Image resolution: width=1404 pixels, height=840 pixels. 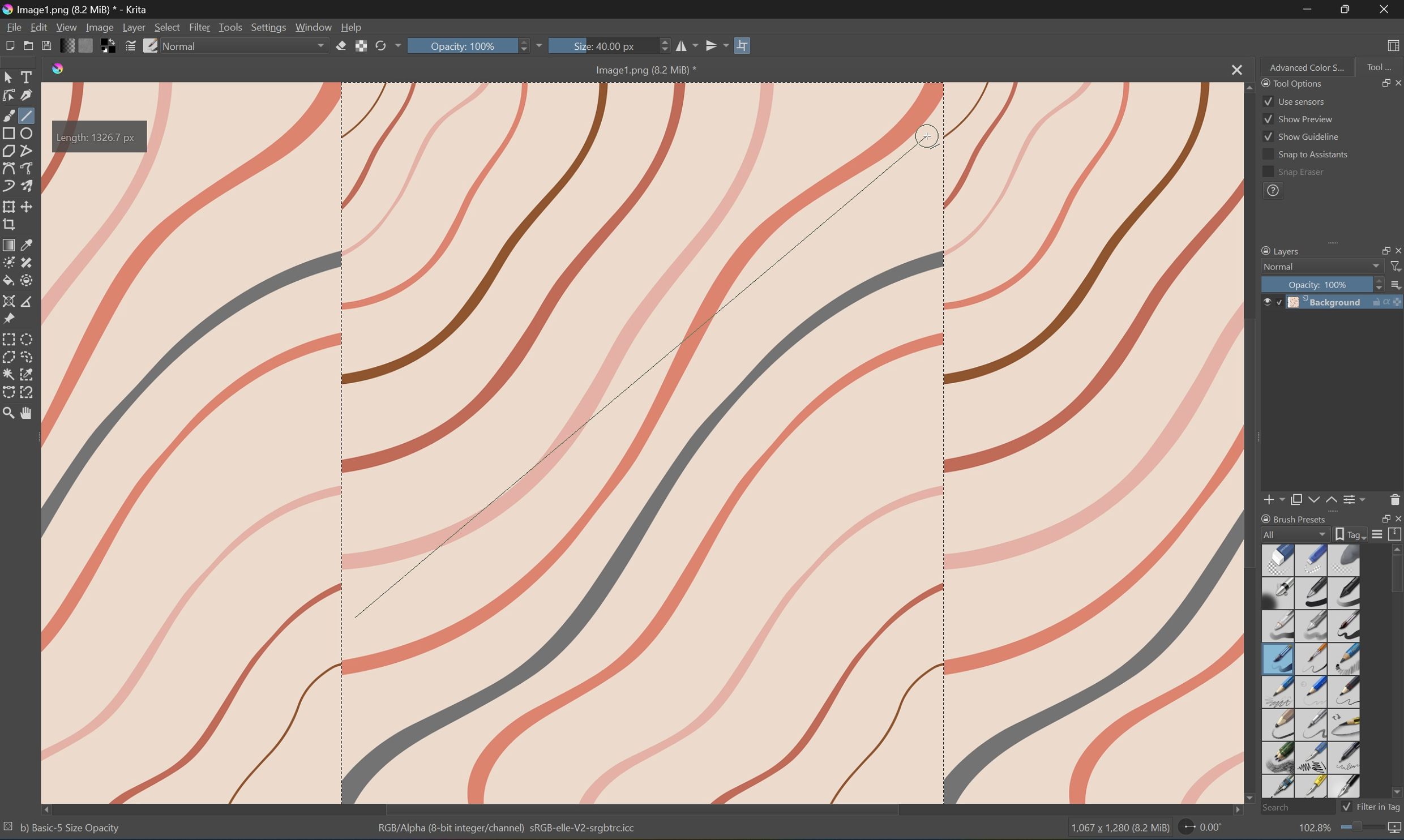 What do you see at coordinates (1349, 9) in the screenshot?
I see `Restore Down` at bounding box center [1349, 9].